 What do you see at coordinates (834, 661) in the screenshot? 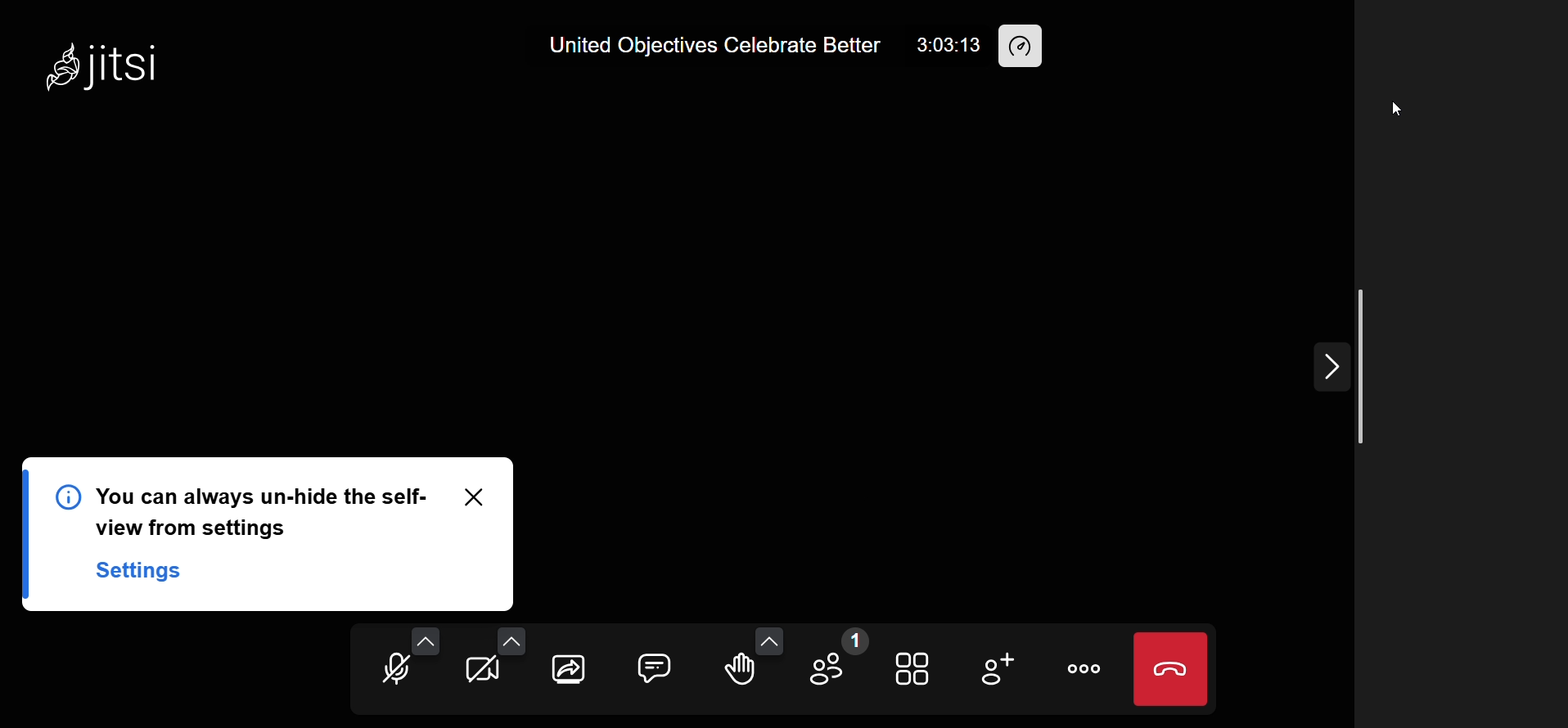
I see `participants` at bounding box center [834, 661].